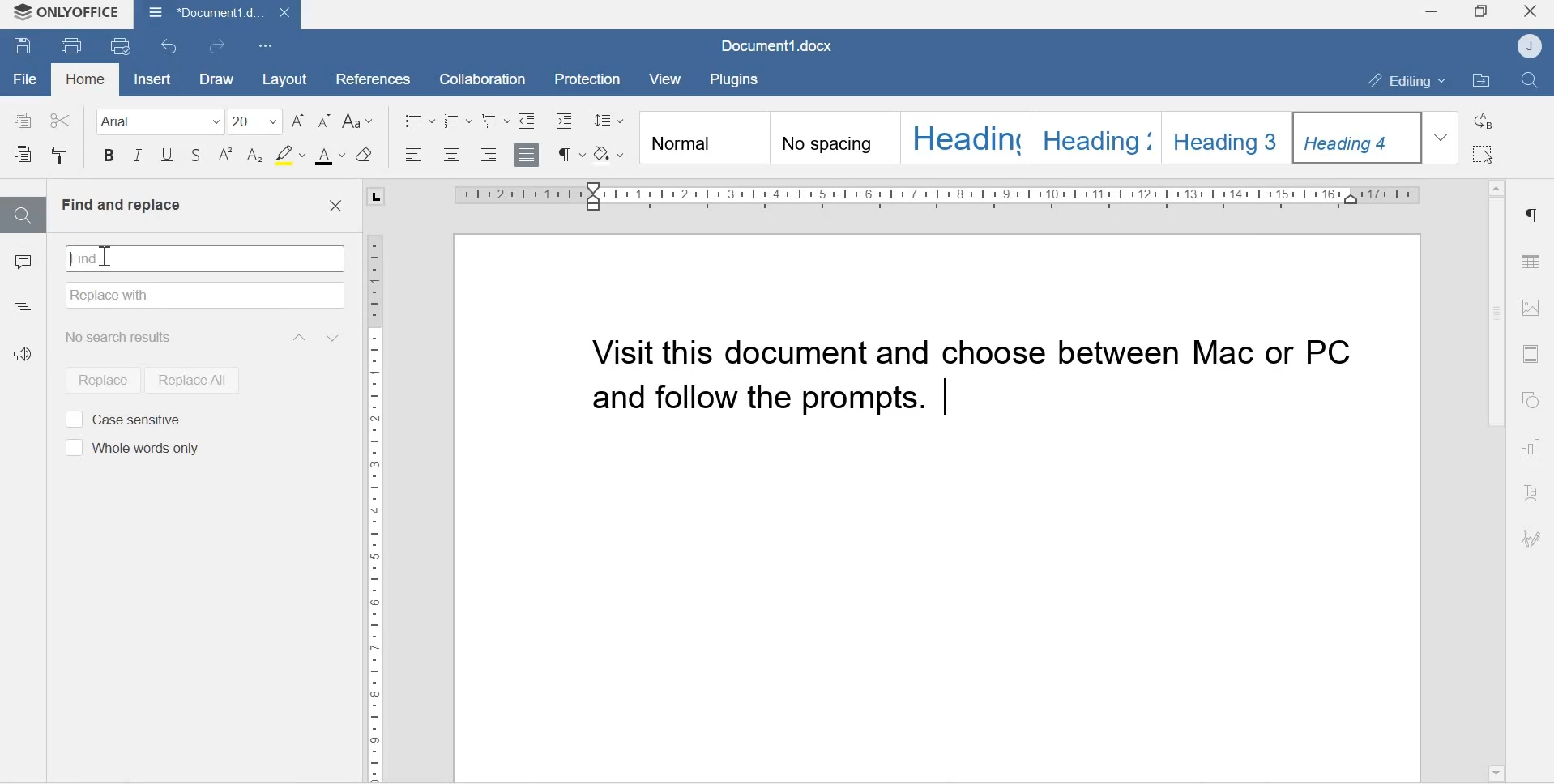 Image resolution: width=1554 pixels, height=784 pixels. I want to click on Text, so click(1533, 494).